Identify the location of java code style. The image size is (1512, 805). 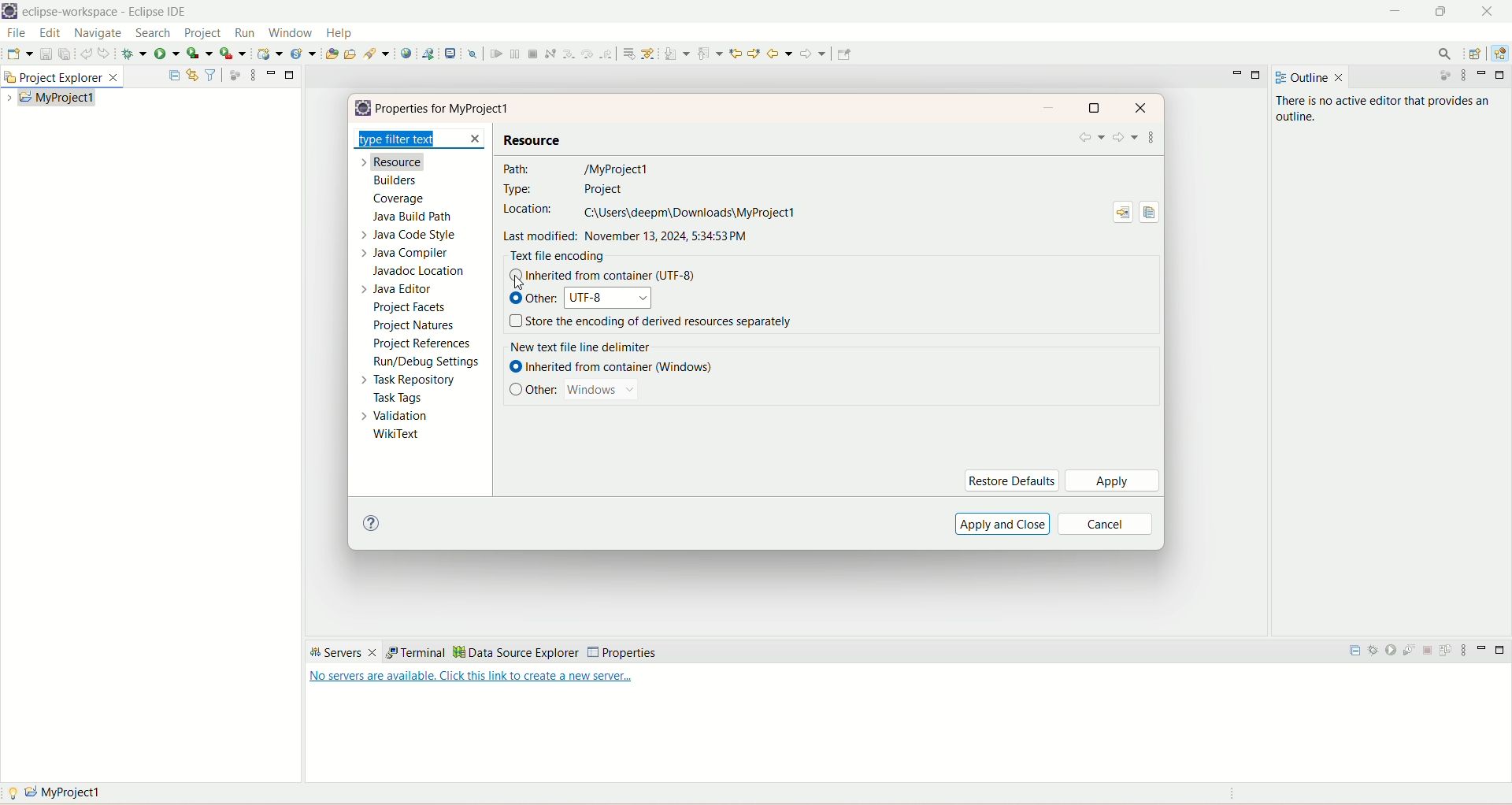
(406, 235).